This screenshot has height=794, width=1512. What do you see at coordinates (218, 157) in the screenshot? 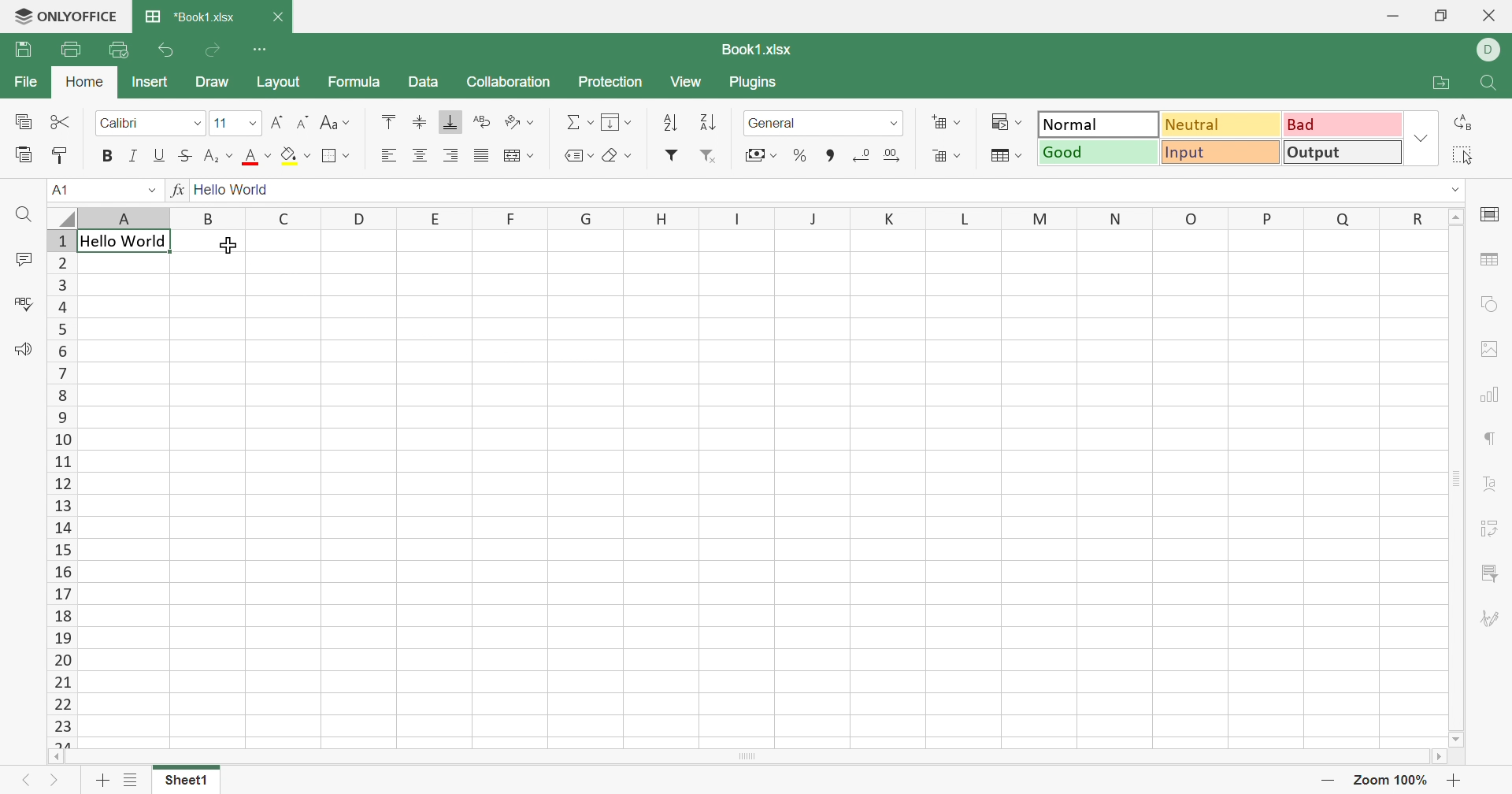
I see `Subscript` at bounding box center [218, 157].